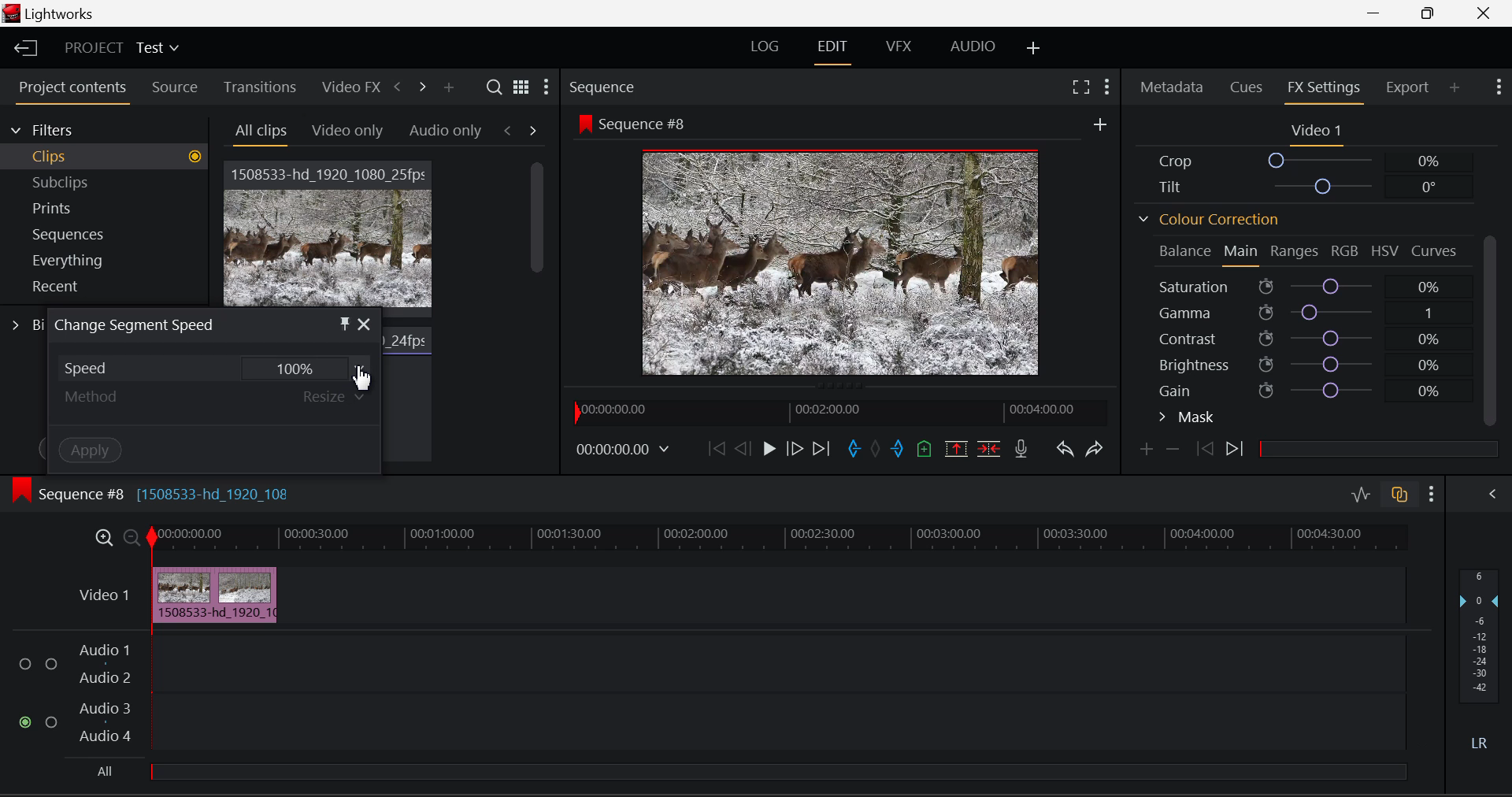  What do you see at coordinates (65, 495) in the screenshot?
I see `Sequence #8 Timeline Display` at bounding box center [65, 495].